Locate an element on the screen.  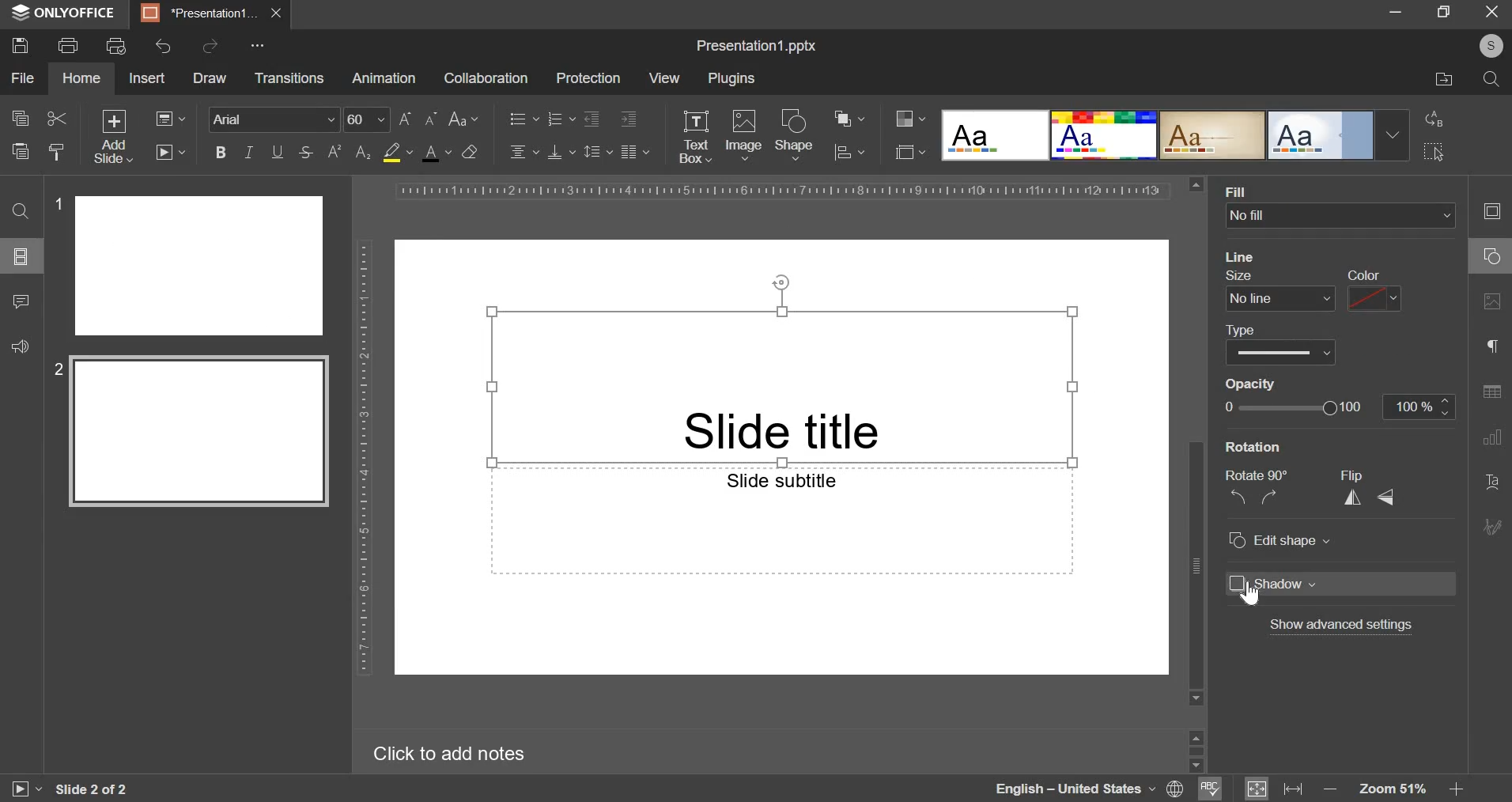
plugins is located at coordinates (731, 79).